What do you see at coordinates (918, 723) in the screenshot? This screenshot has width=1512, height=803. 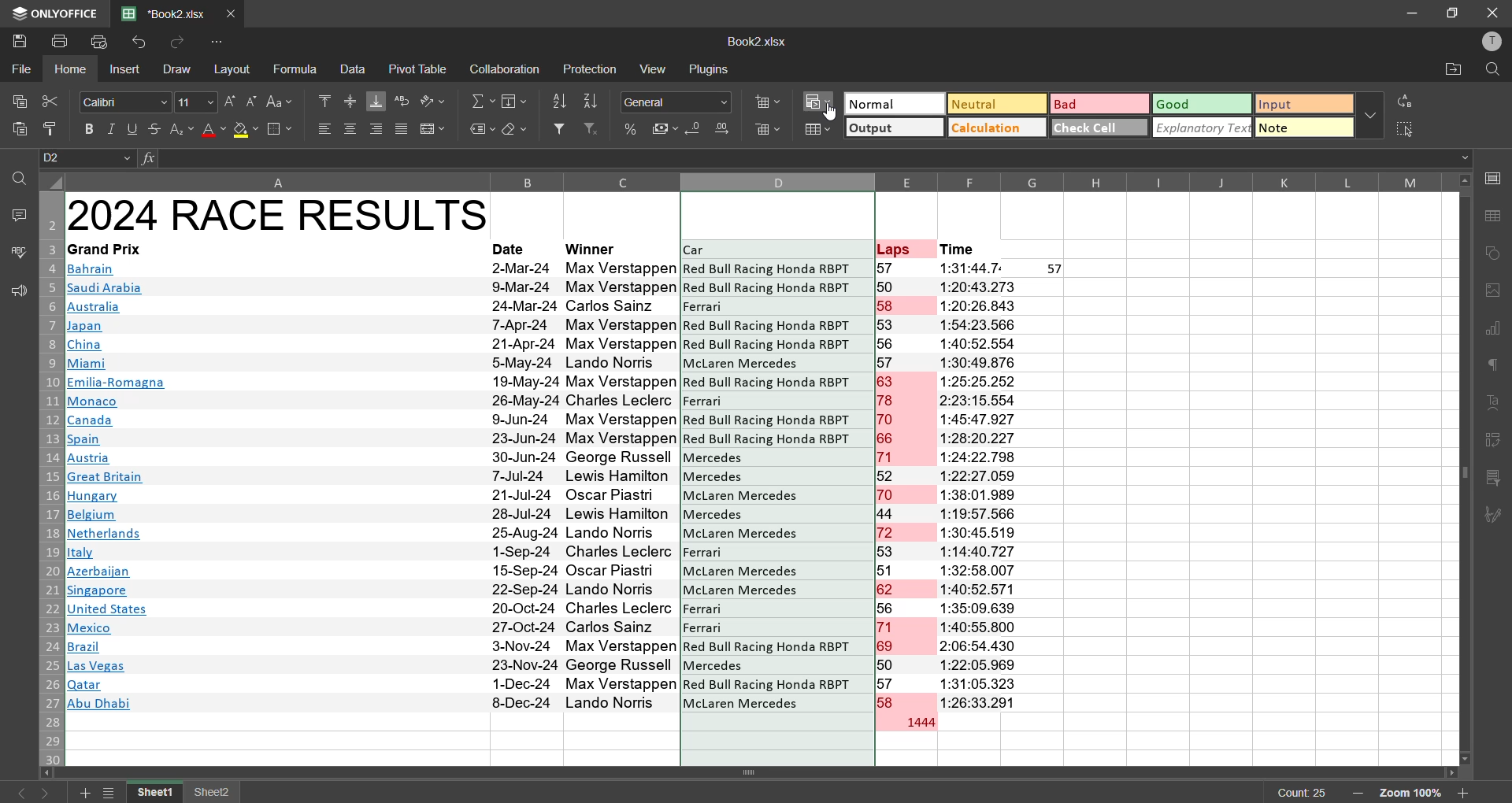 I see `total laps` at bounding box center [918, 723].